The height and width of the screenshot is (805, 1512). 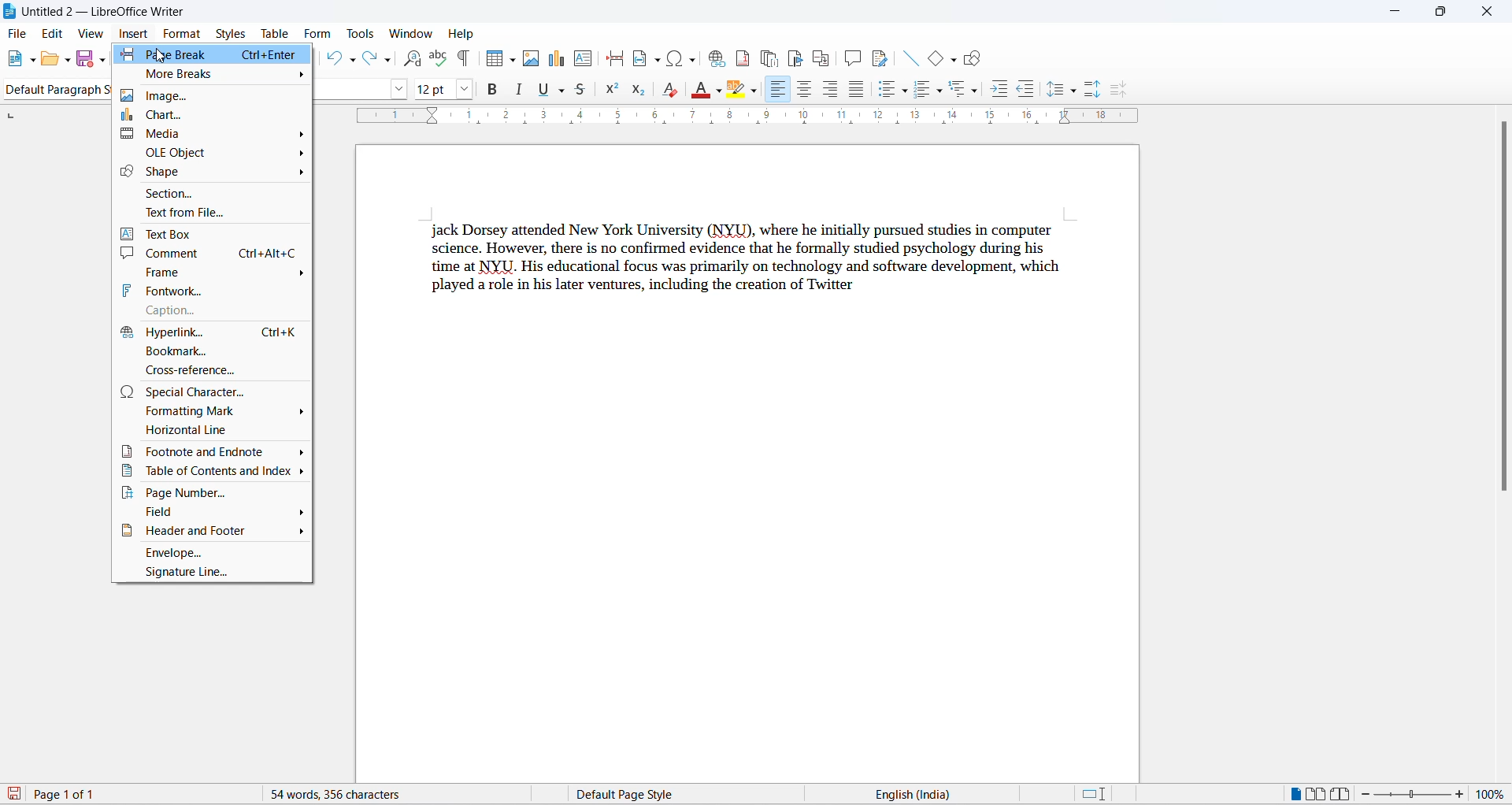 I want to click on envelope, so click(x=213, y=554).